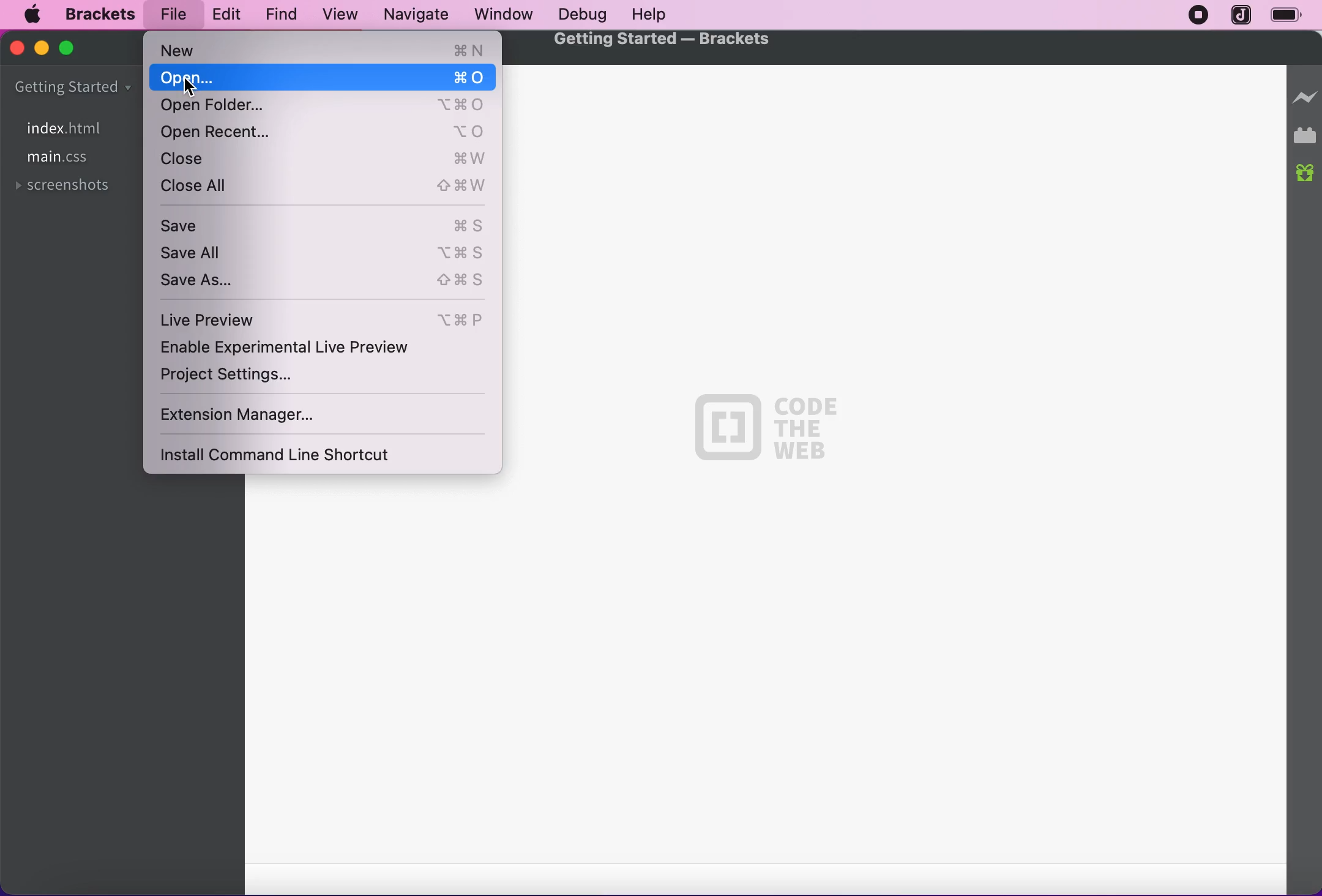 This screenshot has height=896, width=1322. I want to click on project settings, so click(255, 377).